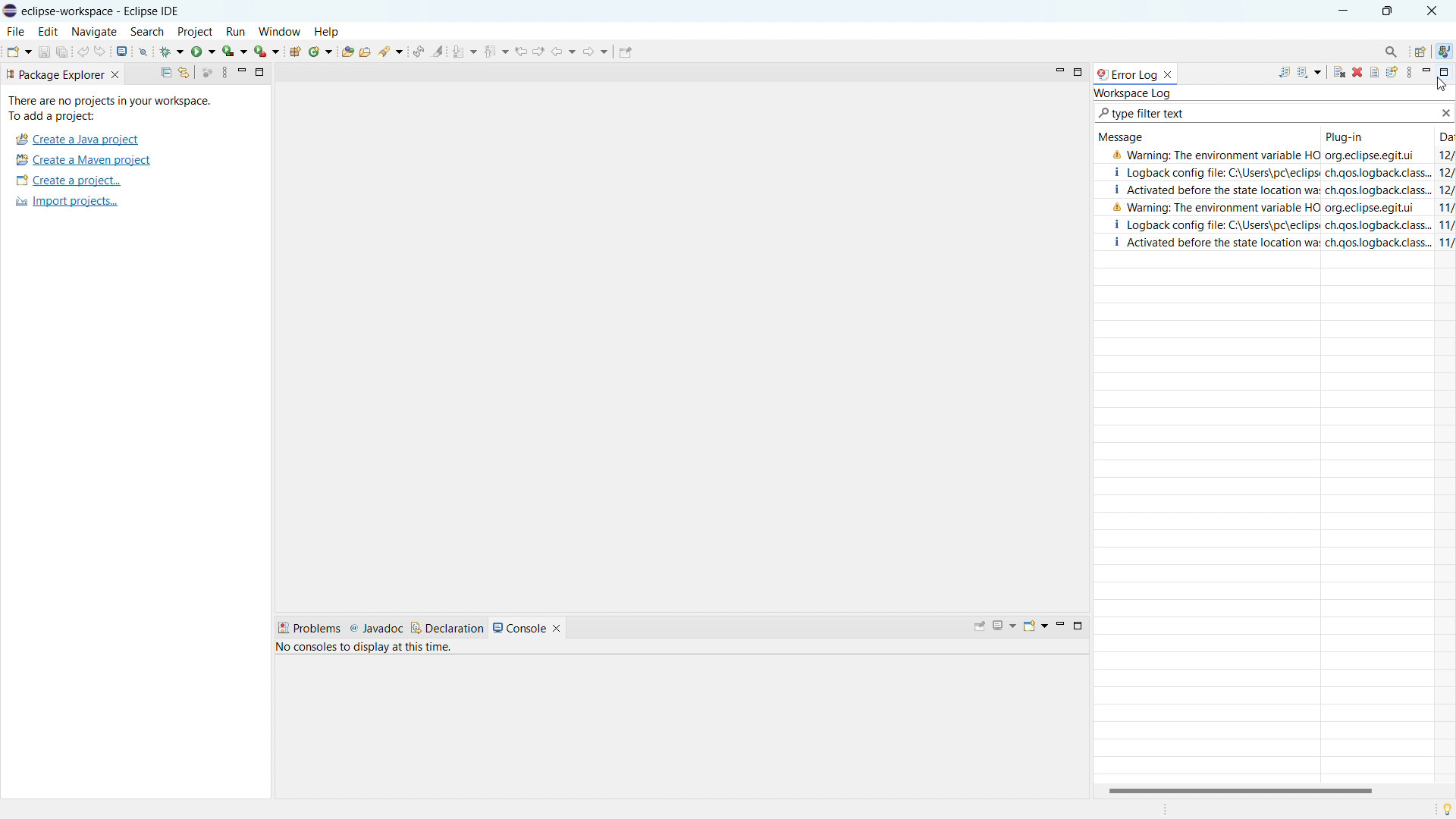 This screenshot has width=1456, height=819. Describe the element at coordinates (227, 74) in the screenshot. I see `view menu` at that location.